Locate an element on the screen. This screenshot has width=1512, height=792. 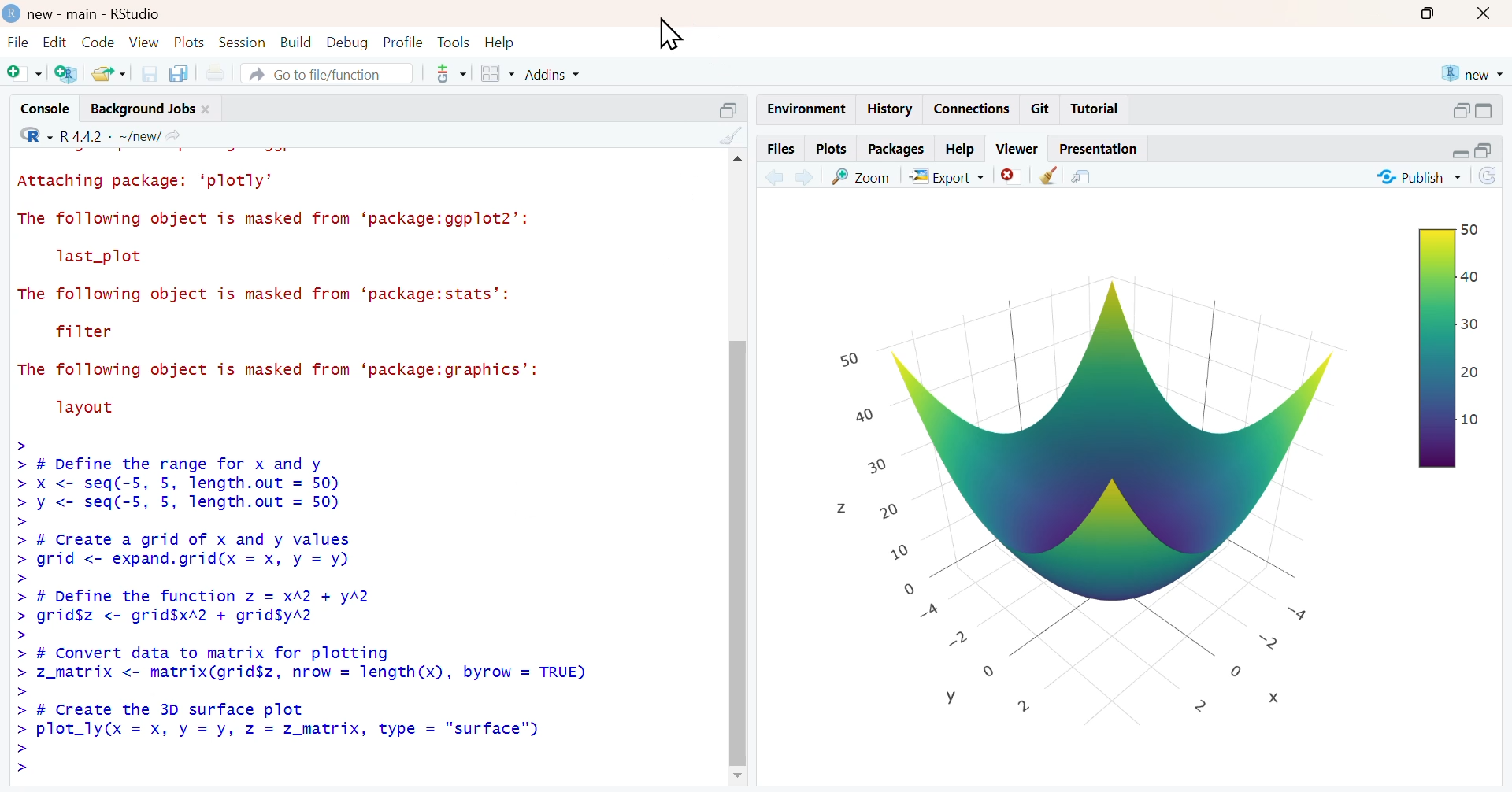
3D plot is located at coordinates (1138, 491).